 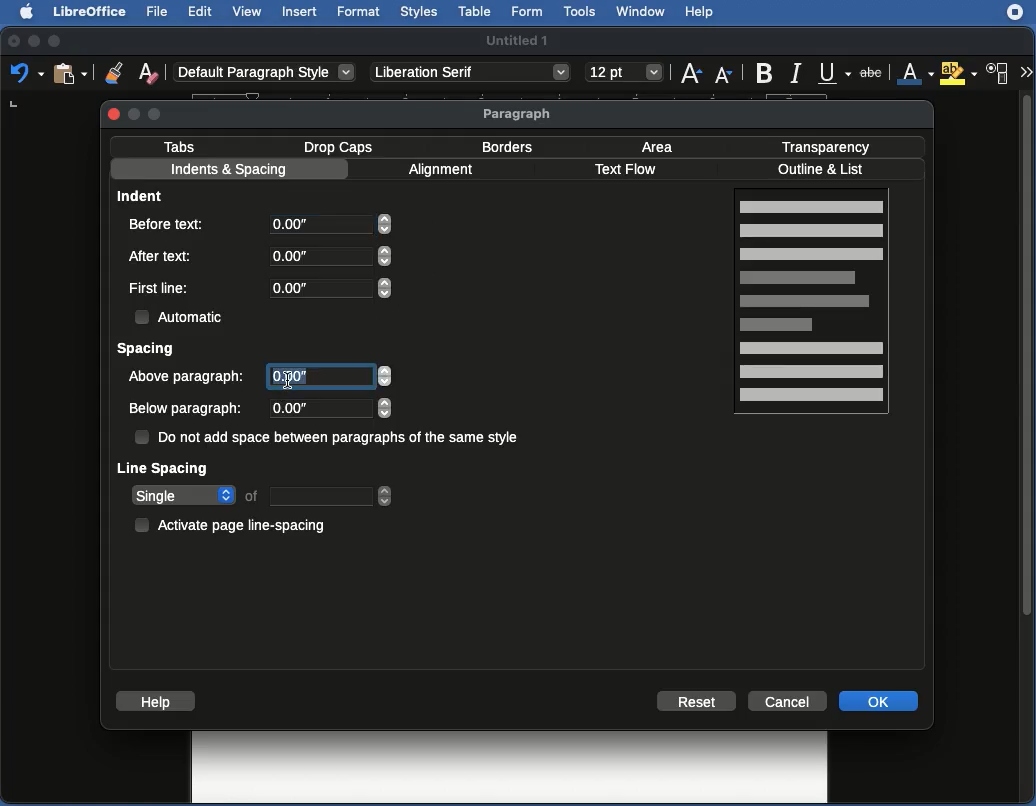 What do you see at coordinates (189, 376) in the screenshot?
I see `Above paragraph` at bounding box center [189, 376].